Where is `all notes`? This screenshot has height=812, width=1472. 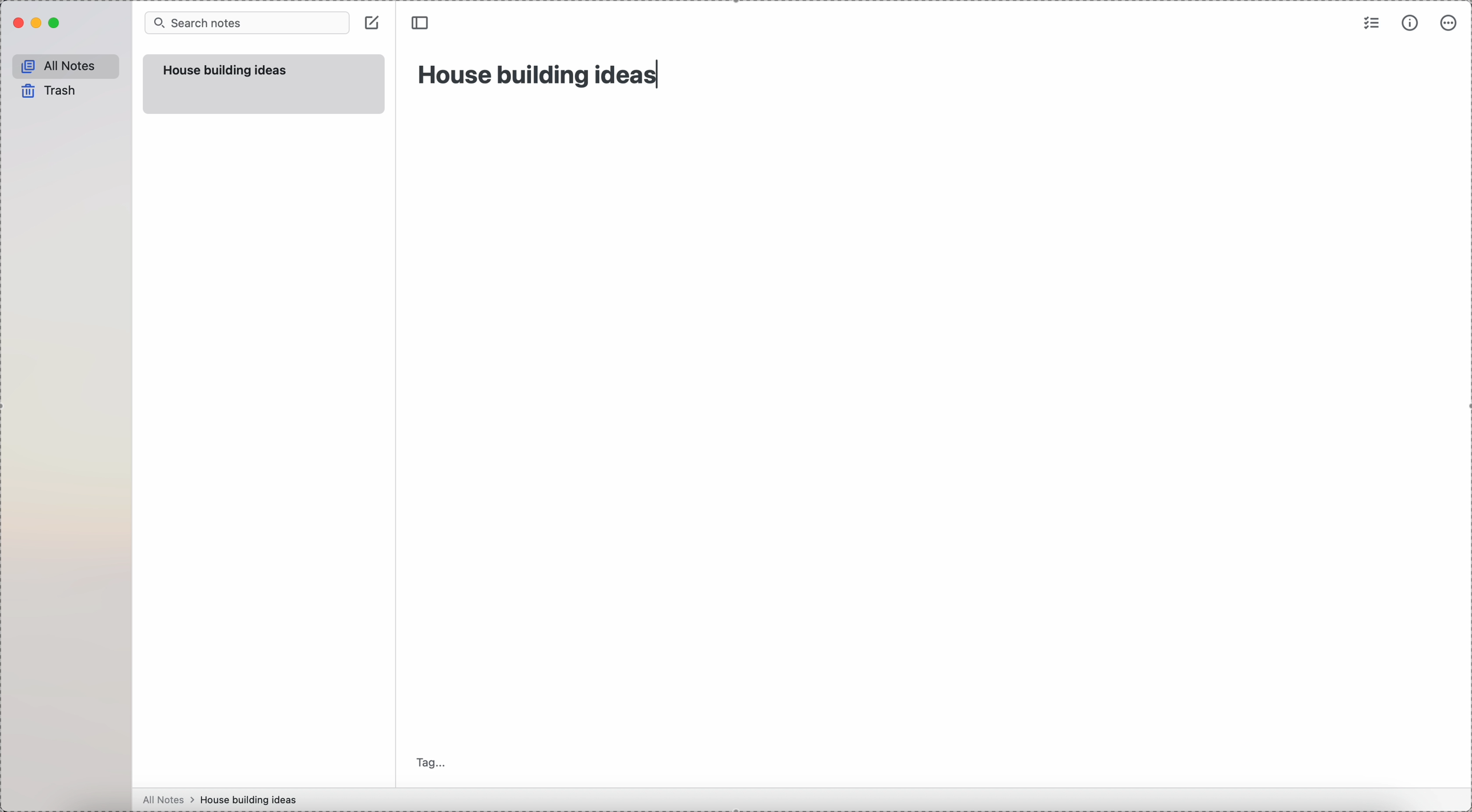
all notes is located at coordinates (167, 800).